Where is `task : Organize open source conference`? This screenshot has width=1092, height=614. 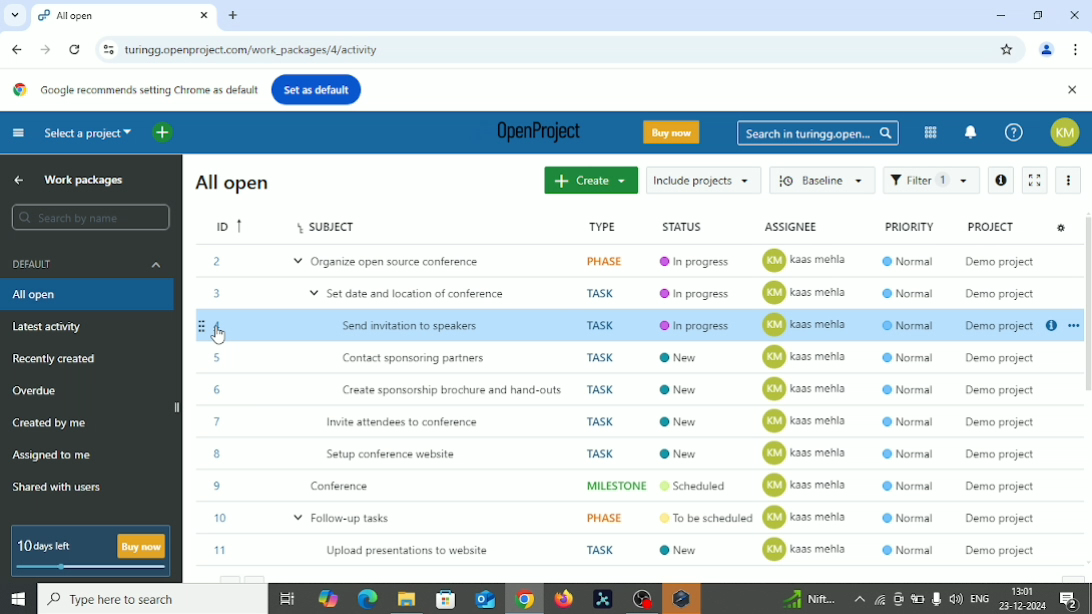
task : Organize open source conference is located at coordinates (623, 260).